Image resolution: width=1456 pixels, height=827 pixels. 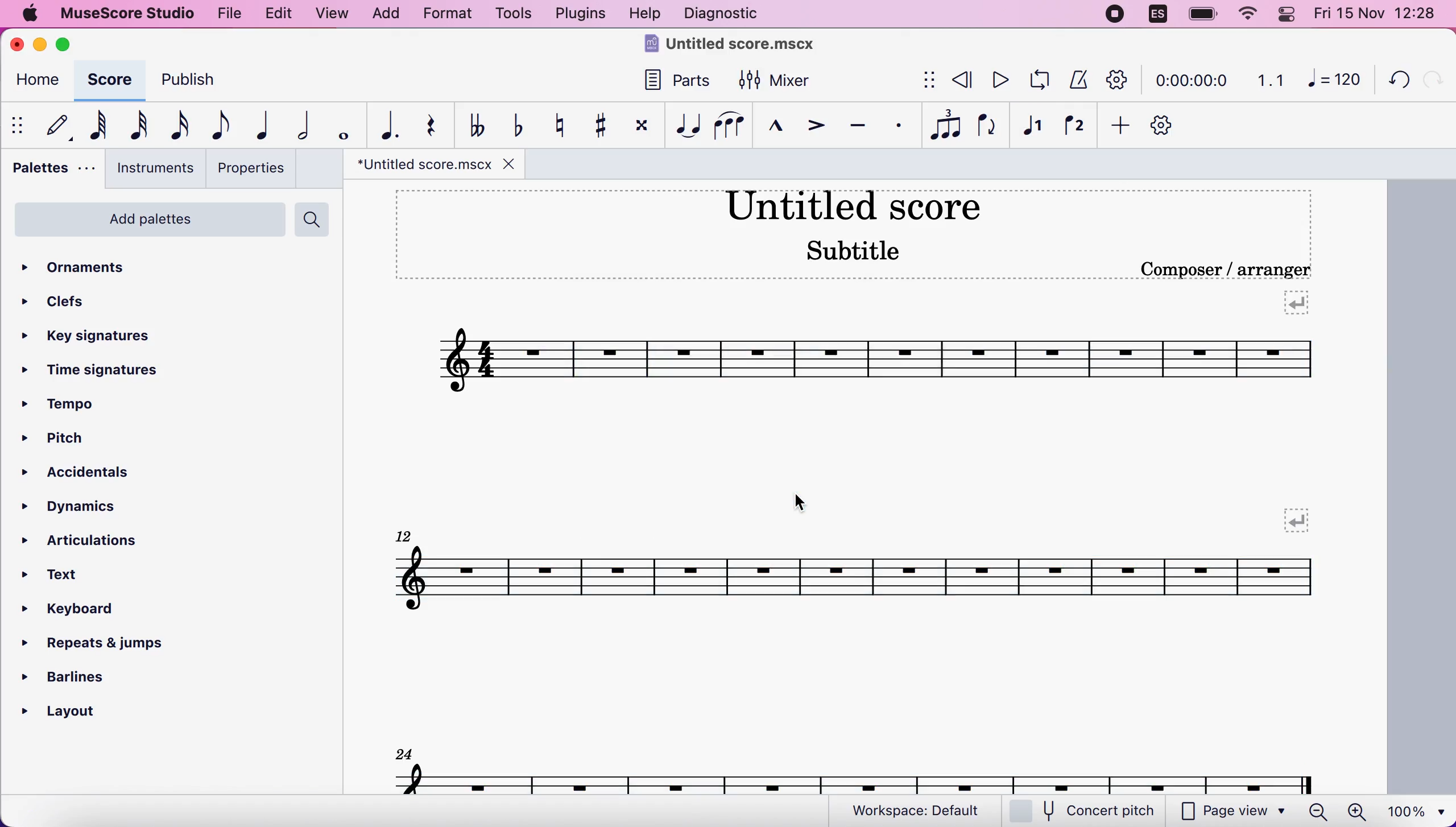 What do you see at coordinates (177, 126) in the screenshot?
I see `16th note` at bounding box center [177, 126].